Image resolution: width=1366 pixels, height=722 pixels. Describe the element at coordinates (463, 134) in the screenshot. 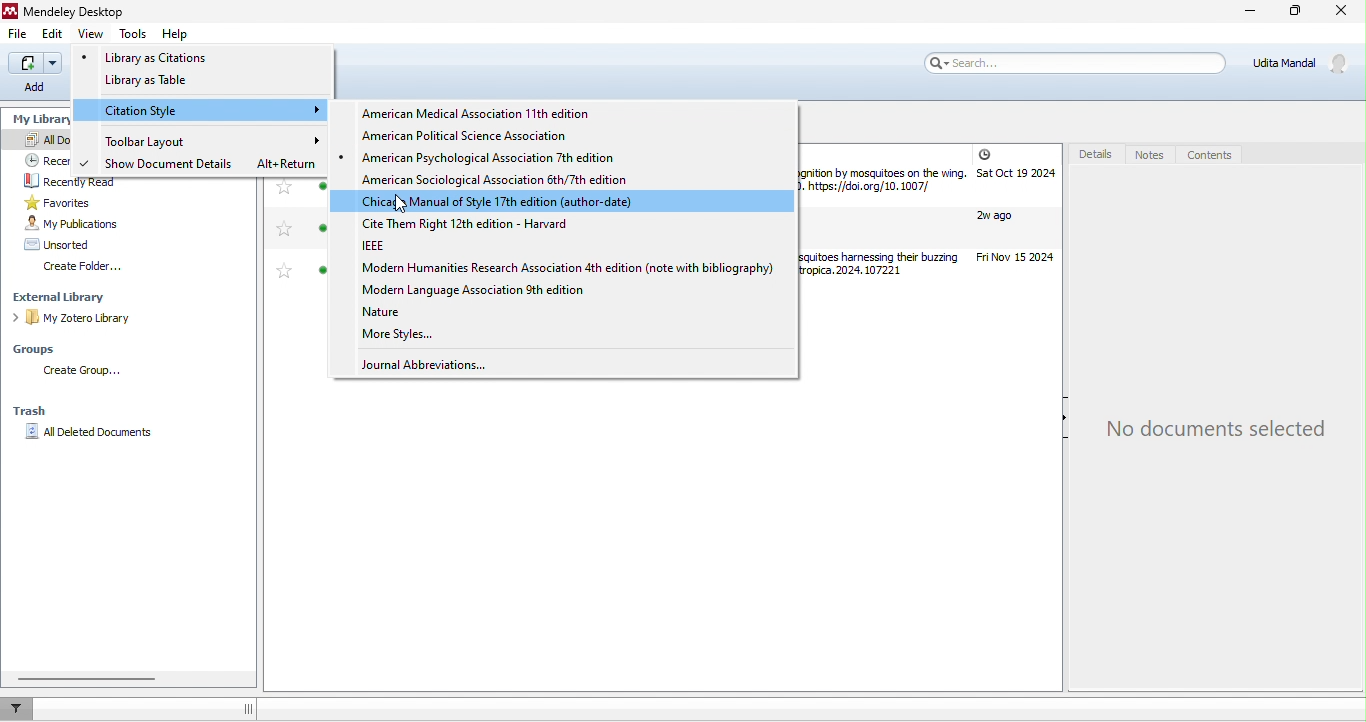

I see `american political science association` at that location.